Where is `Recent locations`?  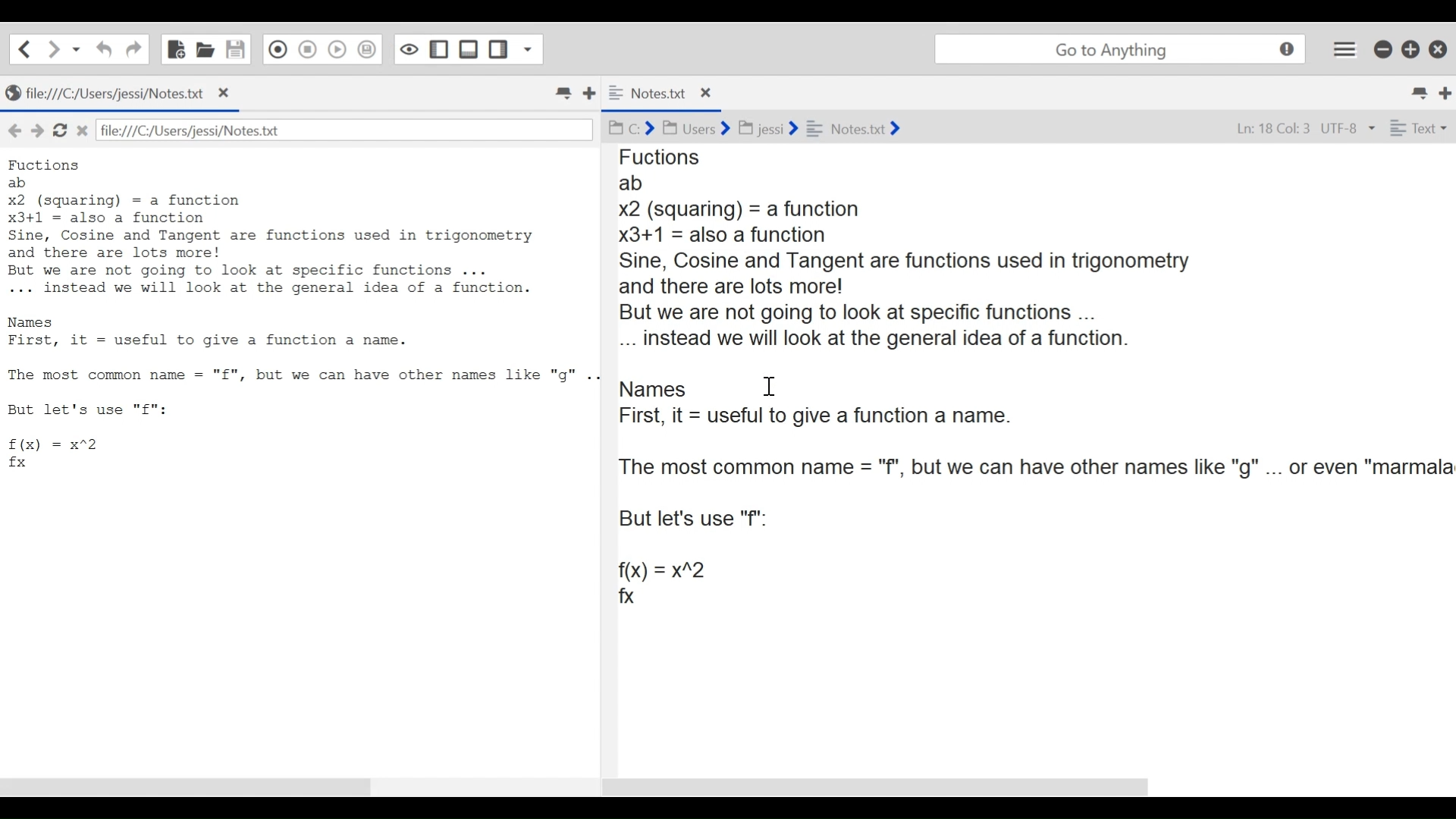
Recent locations is located at coordinates (78, 49).